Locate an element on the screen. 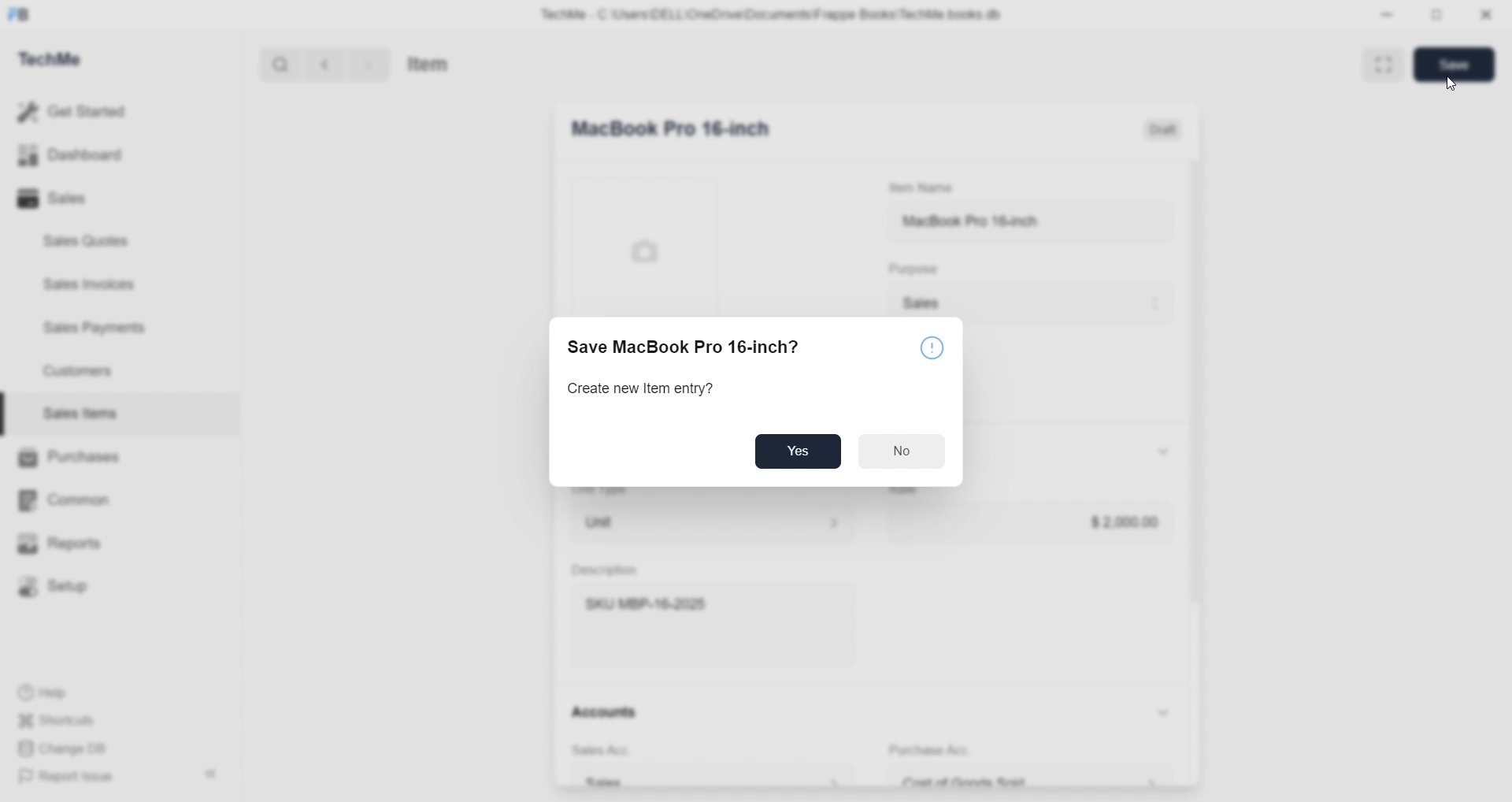 This screenshot has height=802, width=1512. Yes is located at coordinates (798, 451).